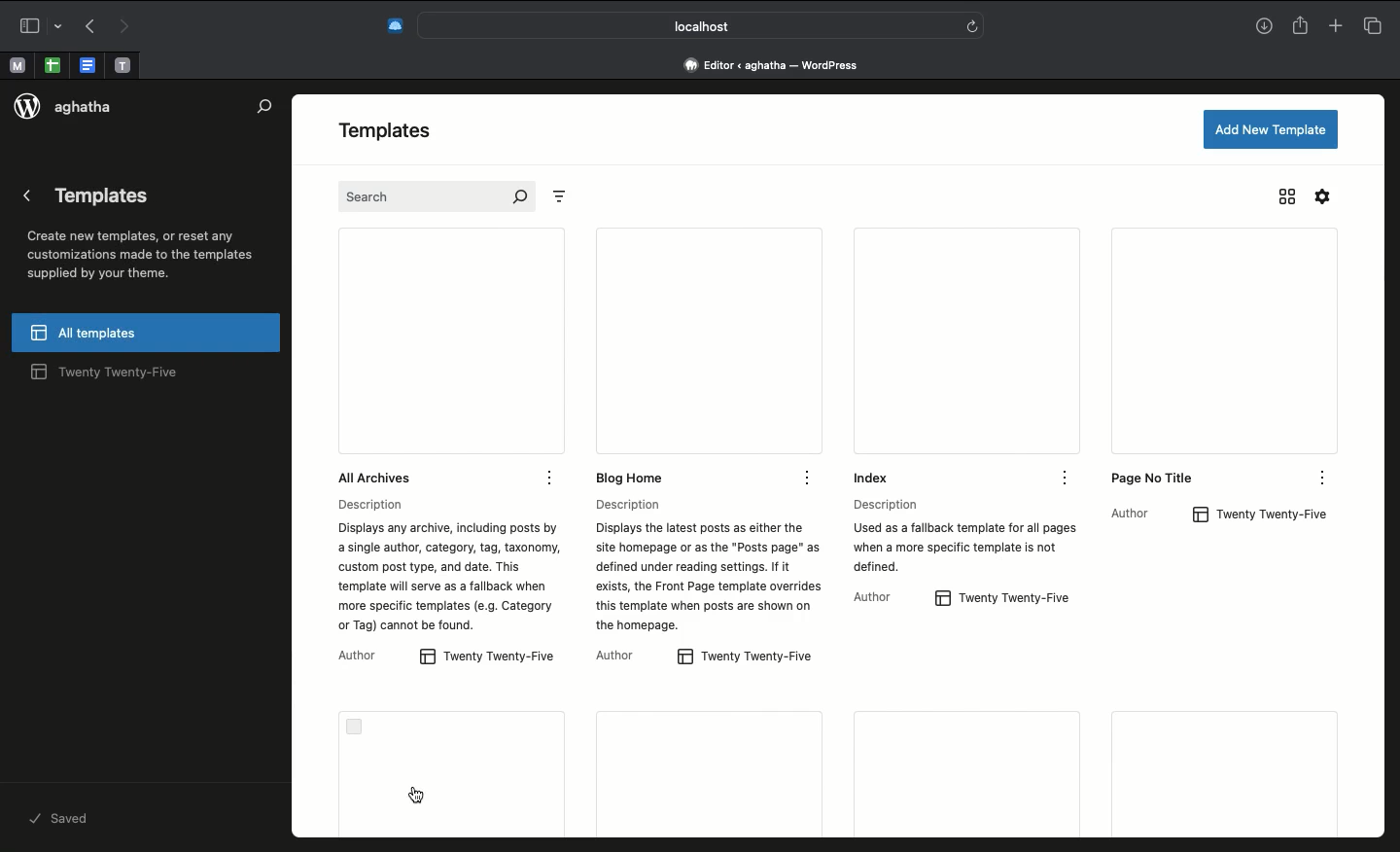 This screenshot has width=1400, height=852. Describe the element at coordinates (1002, 599) in the screenshot. I see `twenty twenty-five` at that location.